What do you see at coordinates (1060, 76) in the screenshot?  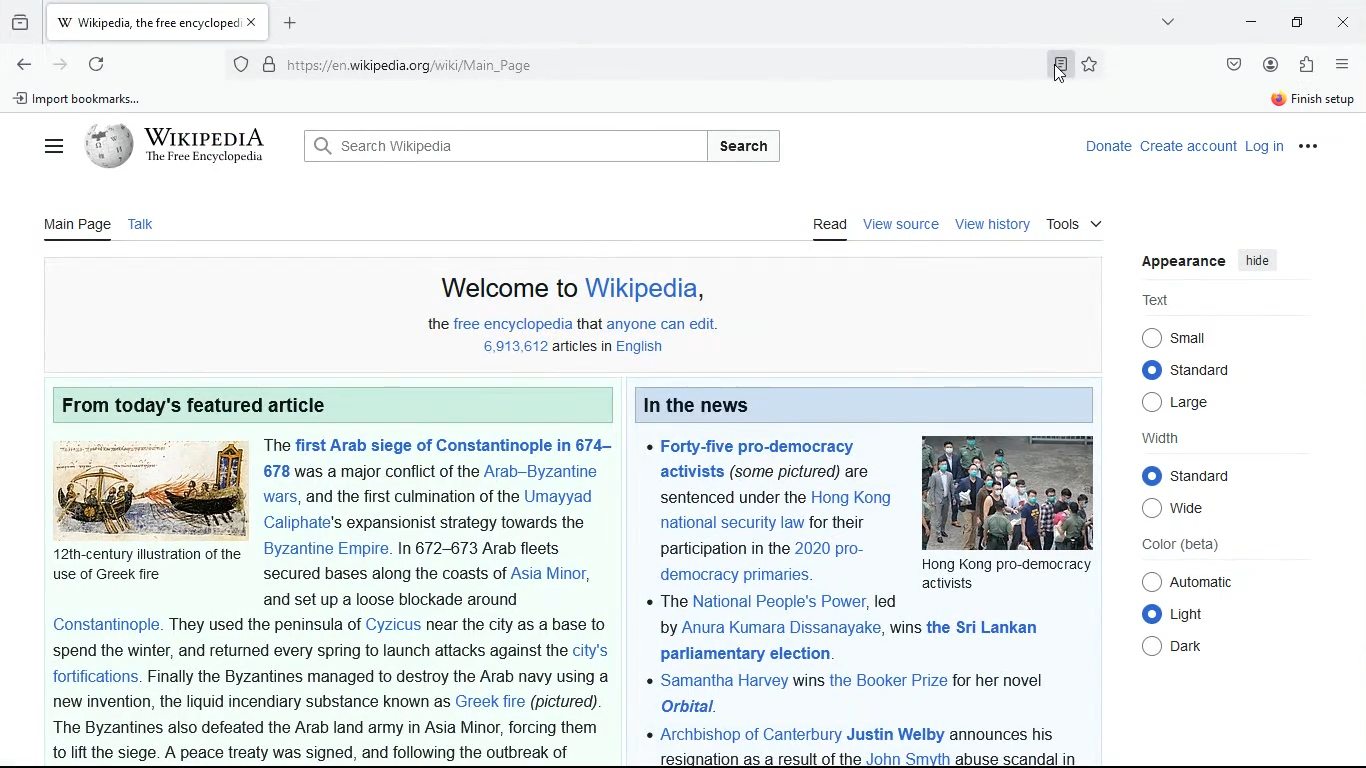 I see `cursor` at bounding box center [1060, 76].